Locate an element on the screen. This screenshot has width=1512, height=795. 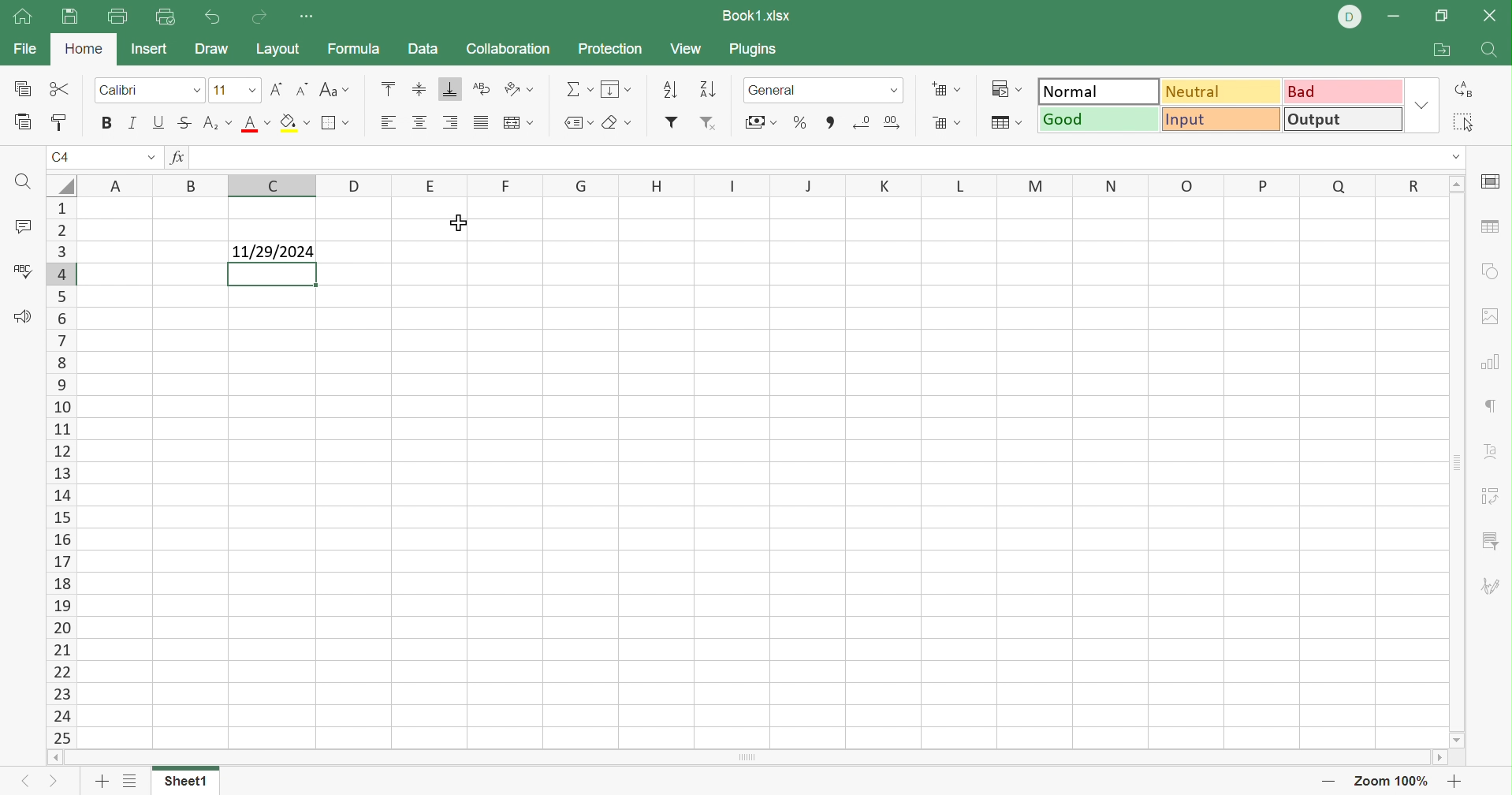
selected cells is located at coordinates (273, 274).